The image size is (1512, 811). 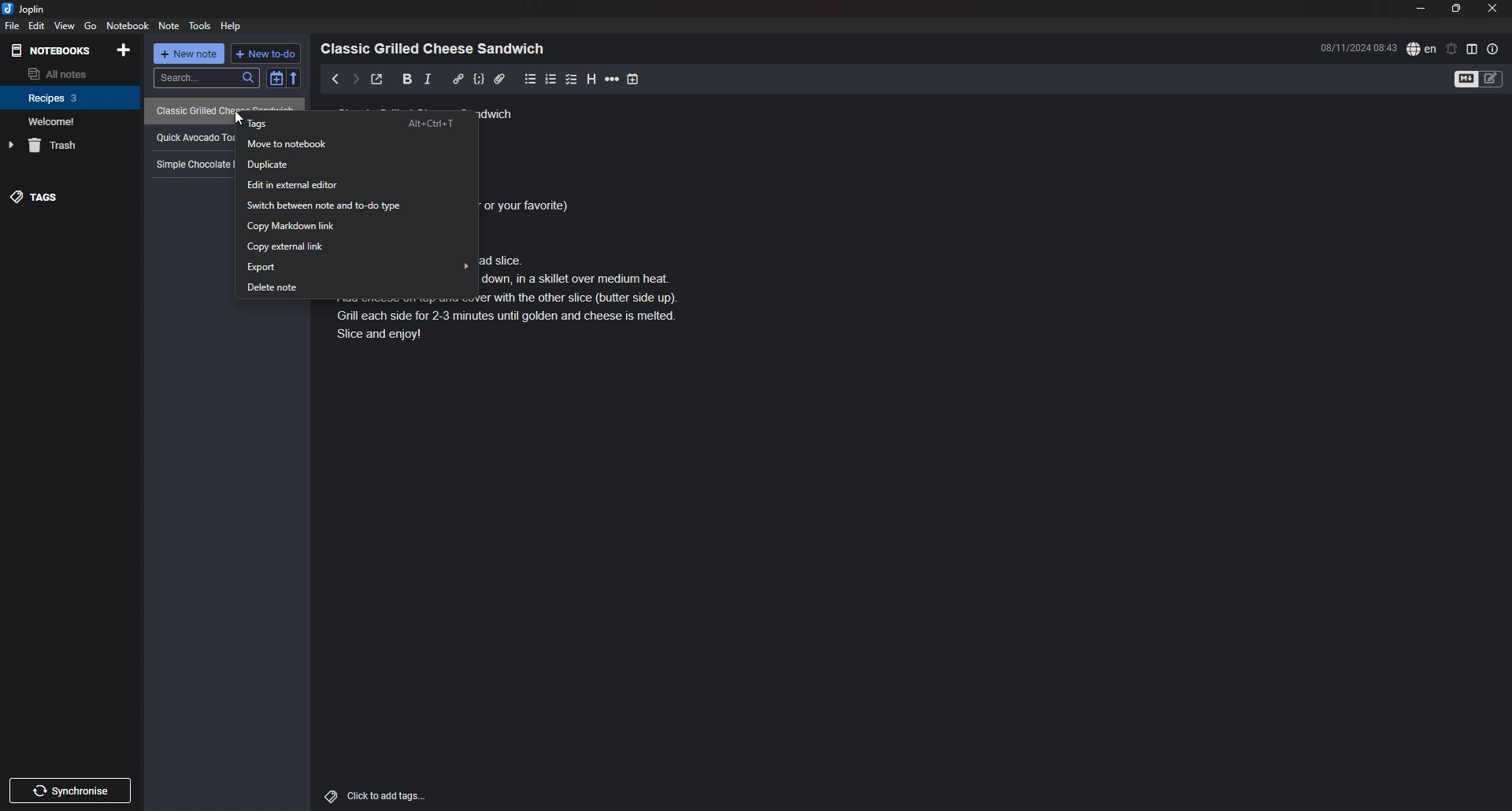 What do you see at coordinates (71, 97) in the screenshot?
I see `notebook` at bounding box center [71, 97].